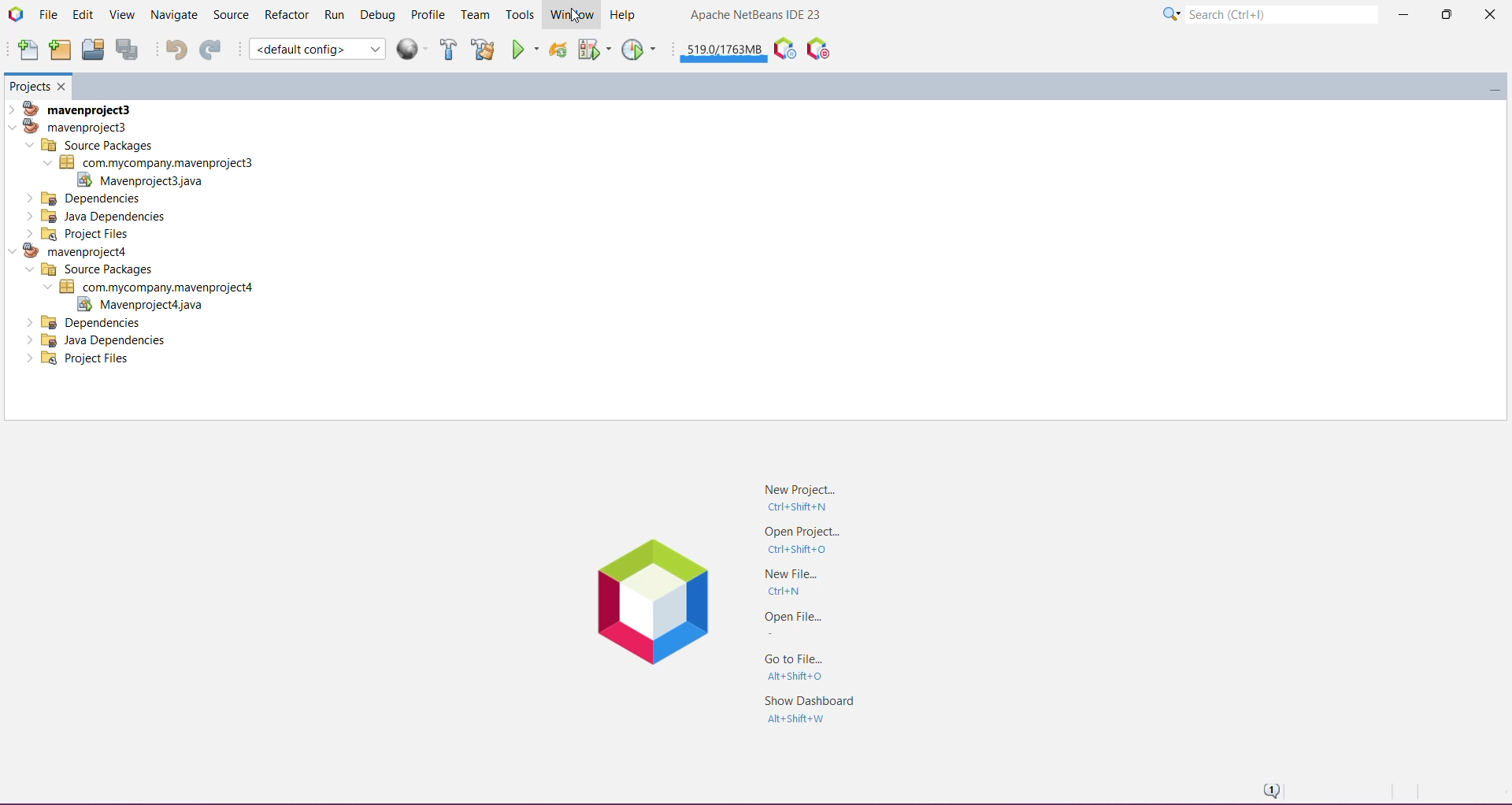  What do you see at coordinates (79, 233) in the screenshot?
I see `Project files` at bounding box center [79, 233].